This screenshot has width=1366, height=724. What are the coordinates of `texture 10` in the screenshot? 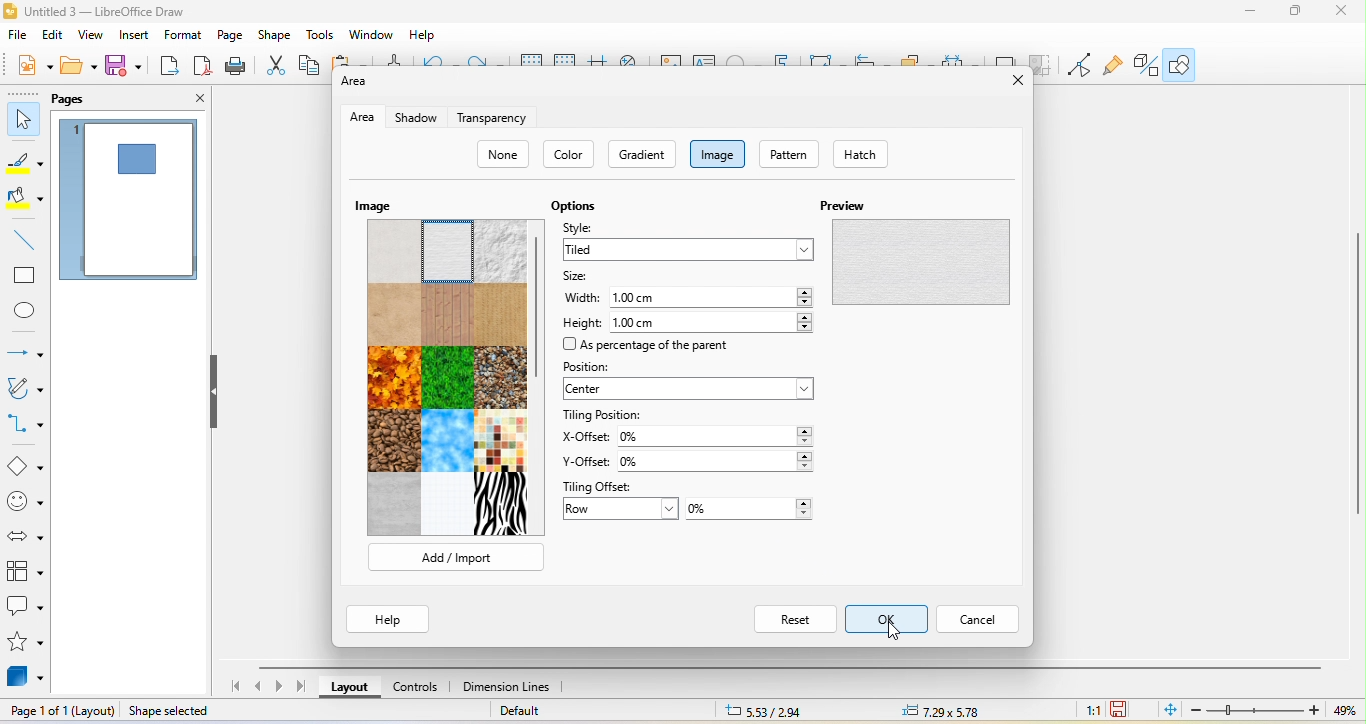 It's located at (392, 441).